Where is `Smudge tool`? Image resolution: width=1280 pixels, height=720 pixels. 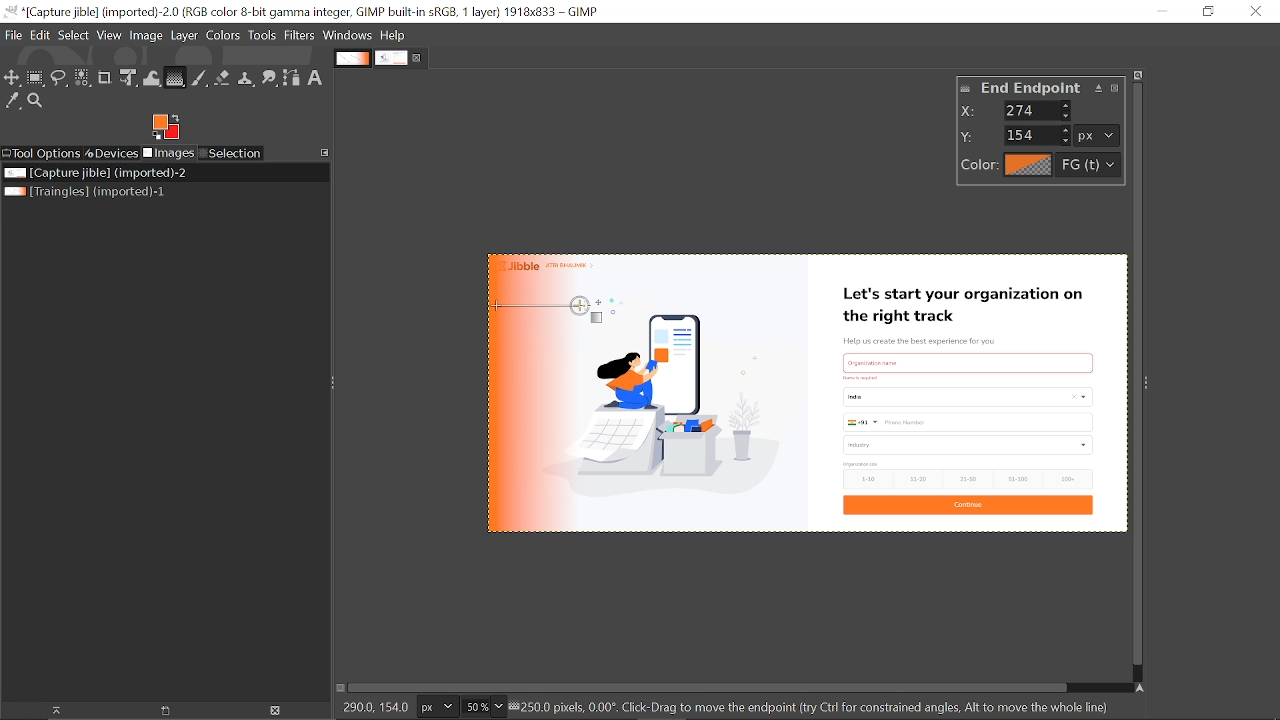
Smudge tool is located at coordinates (268, 77).